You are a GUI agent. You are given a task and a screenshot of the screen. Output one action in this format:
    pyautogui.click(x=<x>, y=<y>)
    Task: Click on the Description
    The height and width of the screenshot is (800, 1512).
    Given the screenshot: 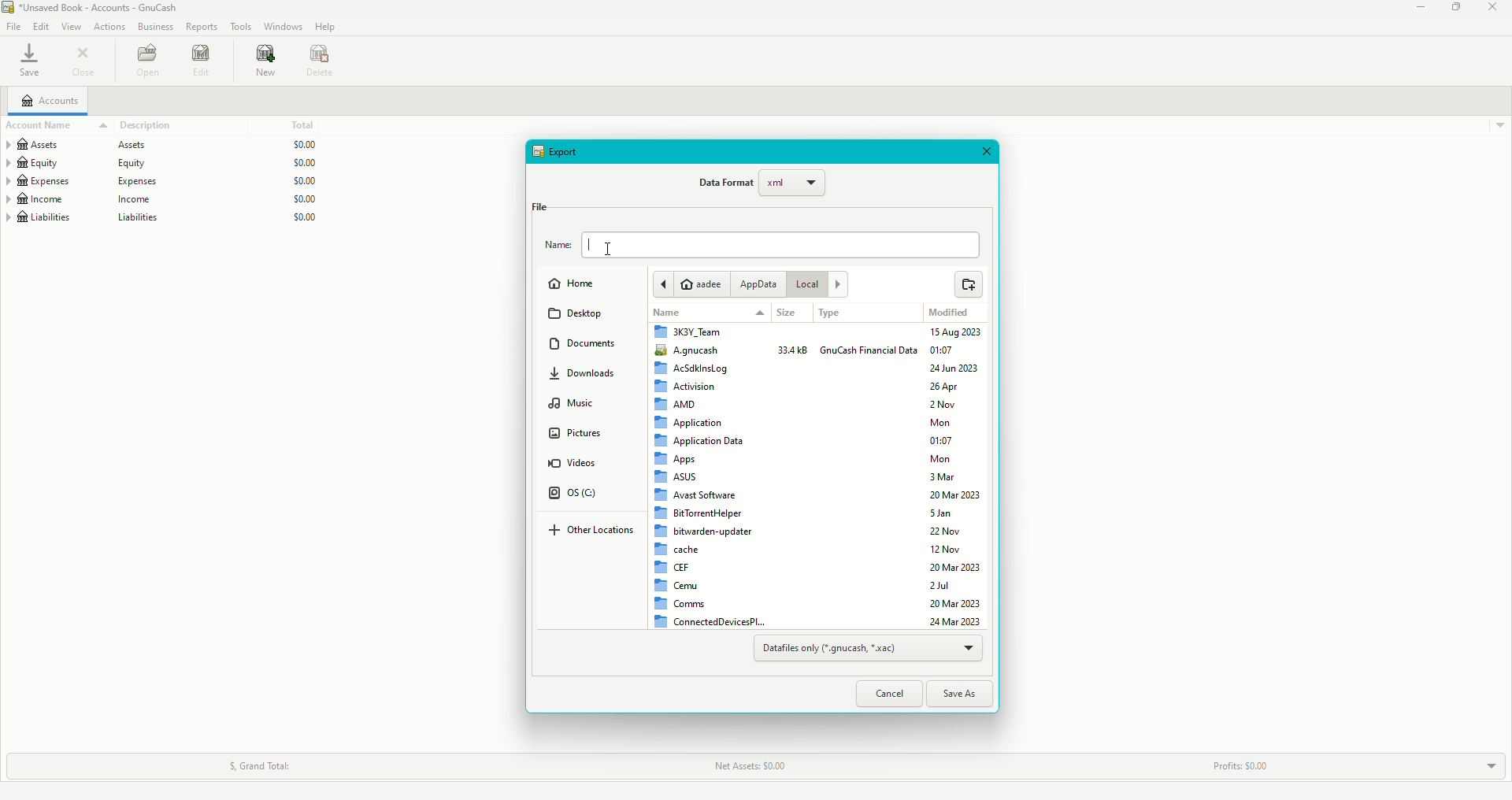 What is the action you would take?
    pyautogui.click(x=137, y=125)
    